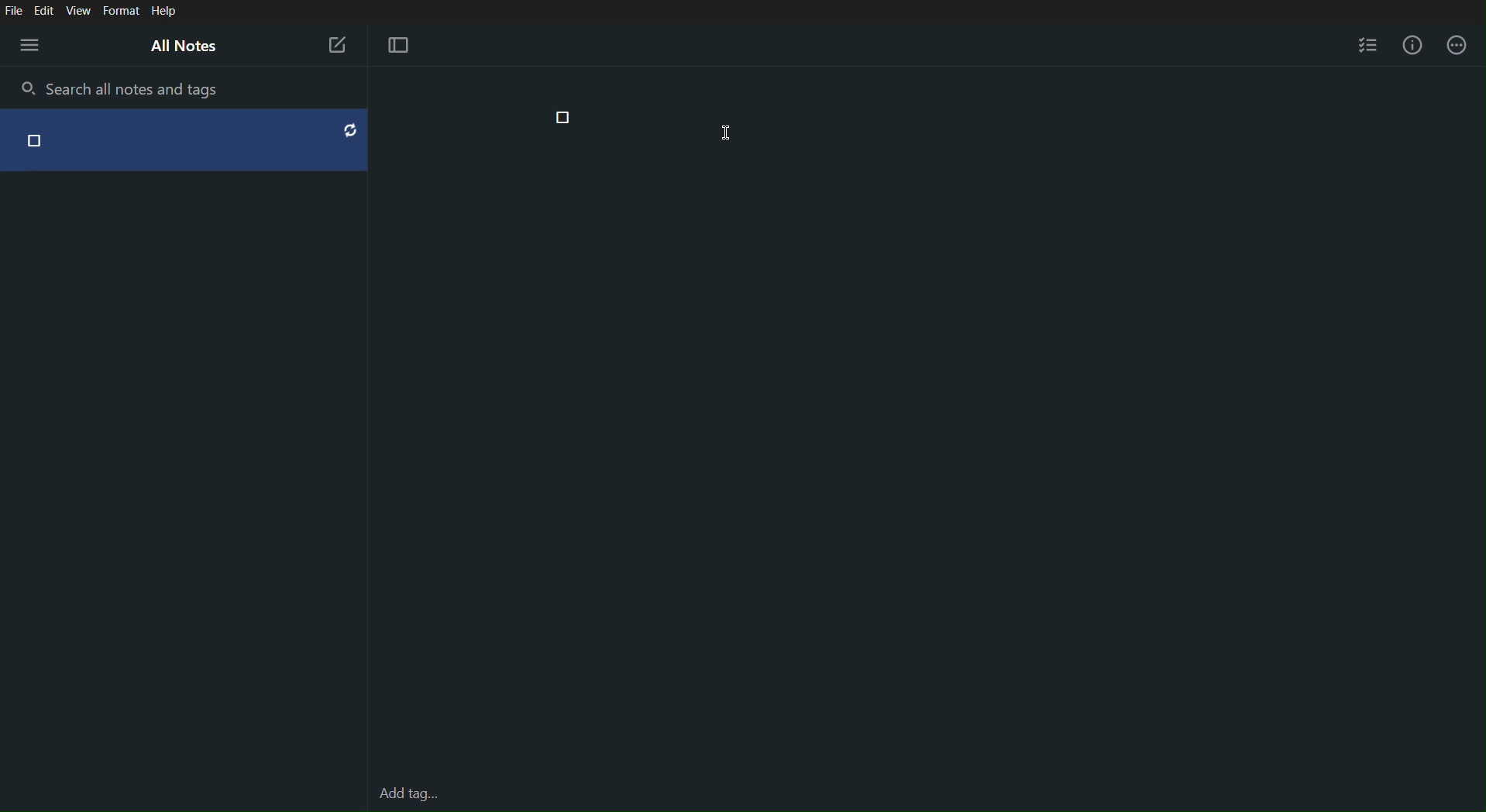 The height and width of the screenshot is (812, 1486). Describe the element at coordinates (120, 12) in the screenshot. I see `Format` at that location.